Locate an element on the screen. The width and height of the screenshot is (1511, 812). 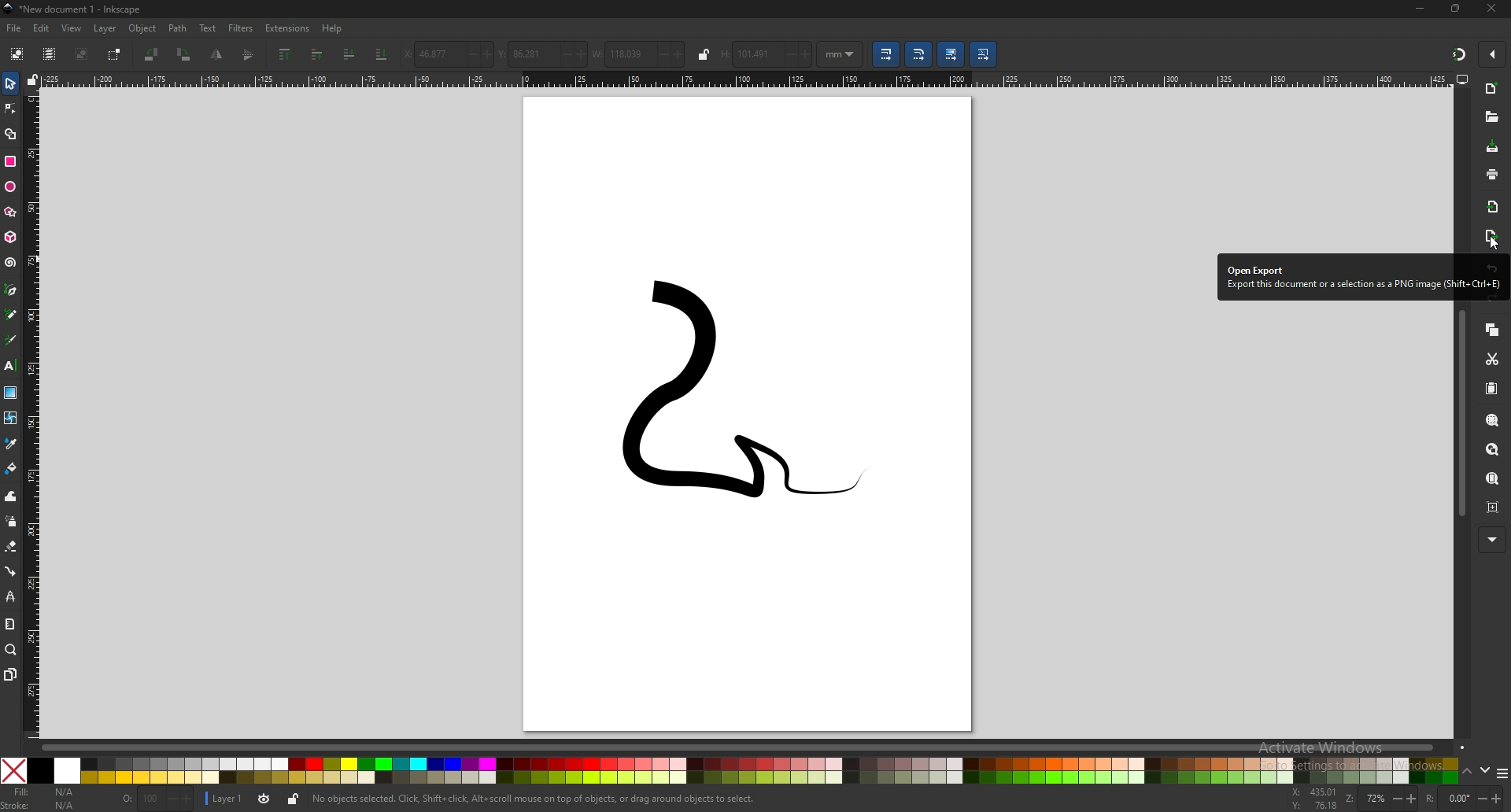
open is located at coordinates (1491, 119).